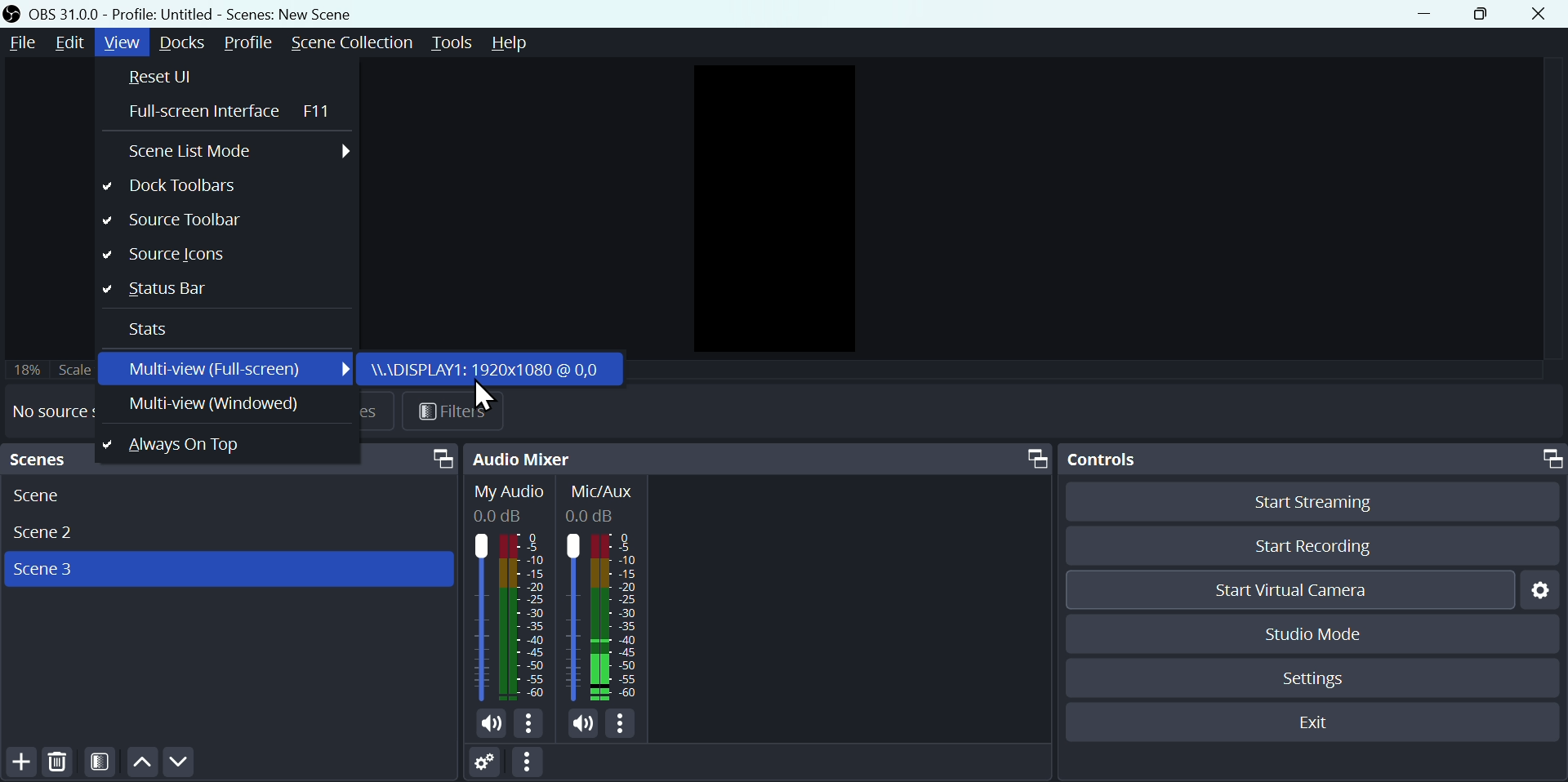  What do you see at coordinates (220, 291) in the screenshot?
I see `Status bar` at bounding box center [220, 291].